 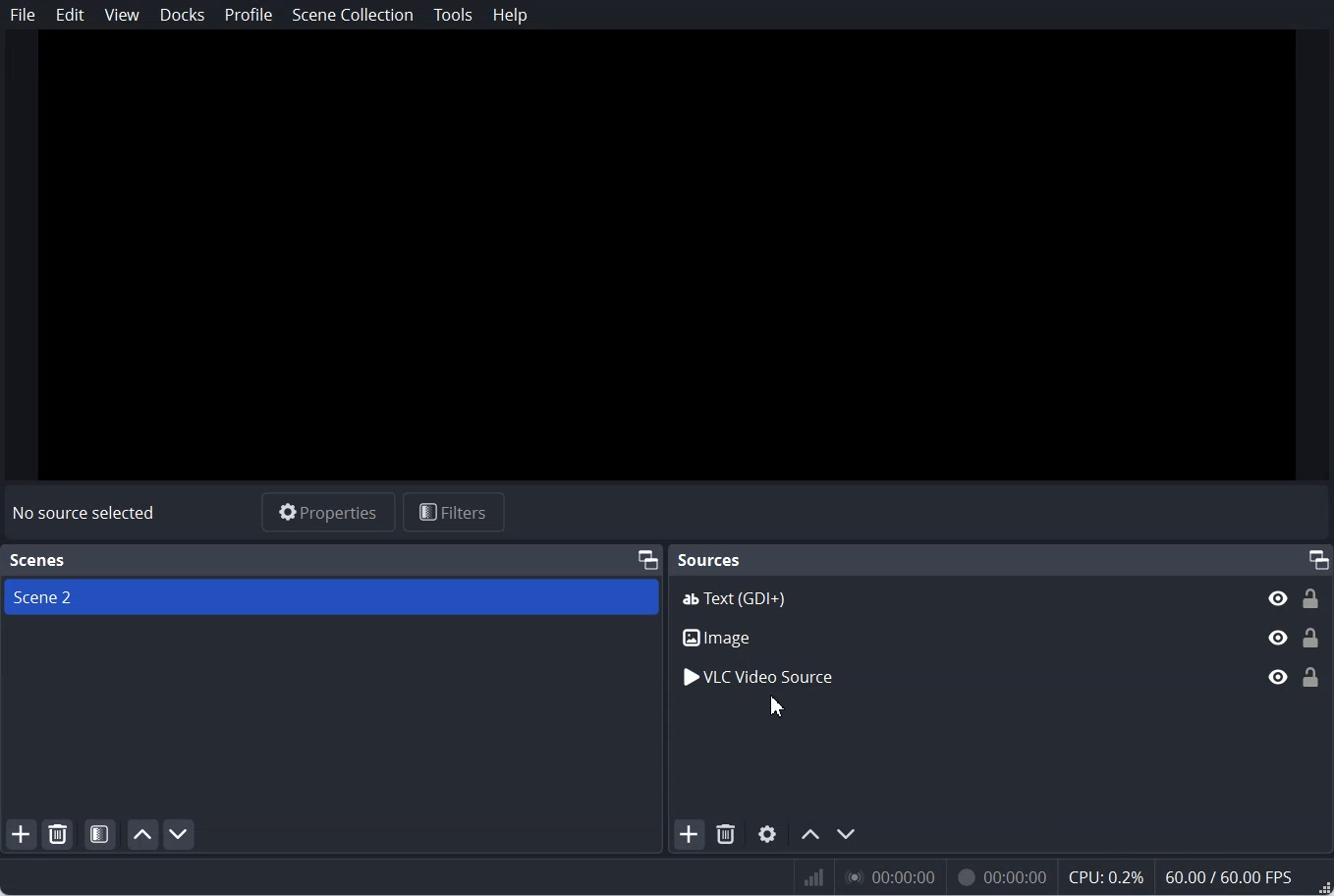 I want to click on View, so click(x=122, y=15).